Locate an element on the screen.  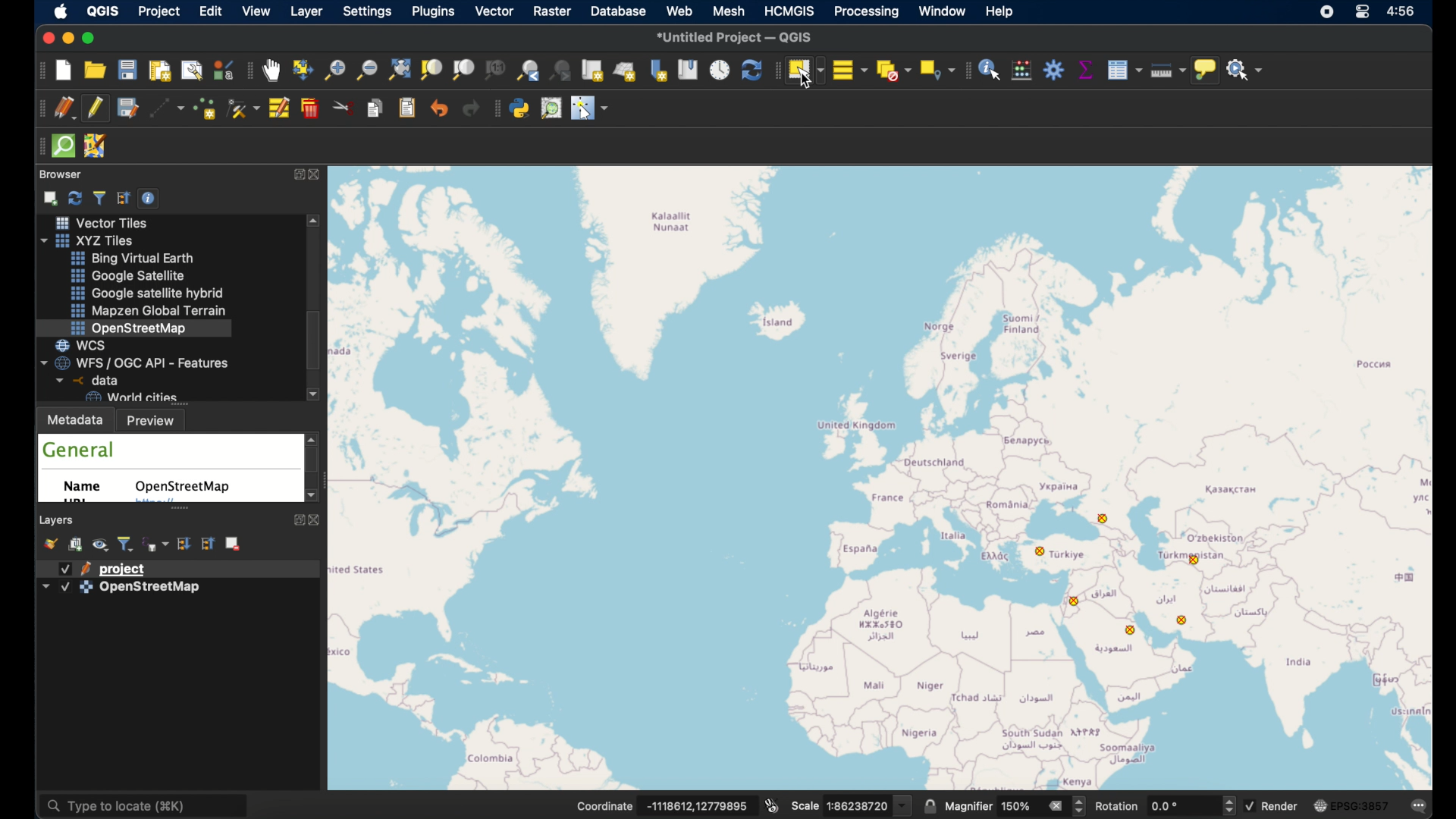
openstreetmap is located at coordinates (130, 328).